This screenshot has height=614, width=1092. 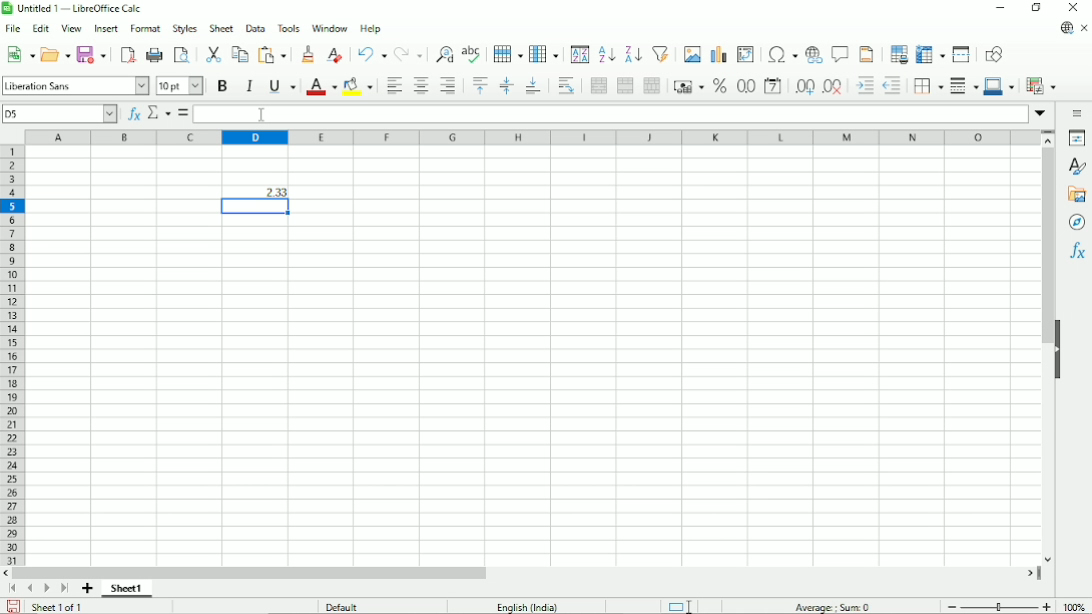 What do you see at coordinates (1076, 115) in the screenshot?
I see `Sidebar settings` at bounding box center [1076, 115].